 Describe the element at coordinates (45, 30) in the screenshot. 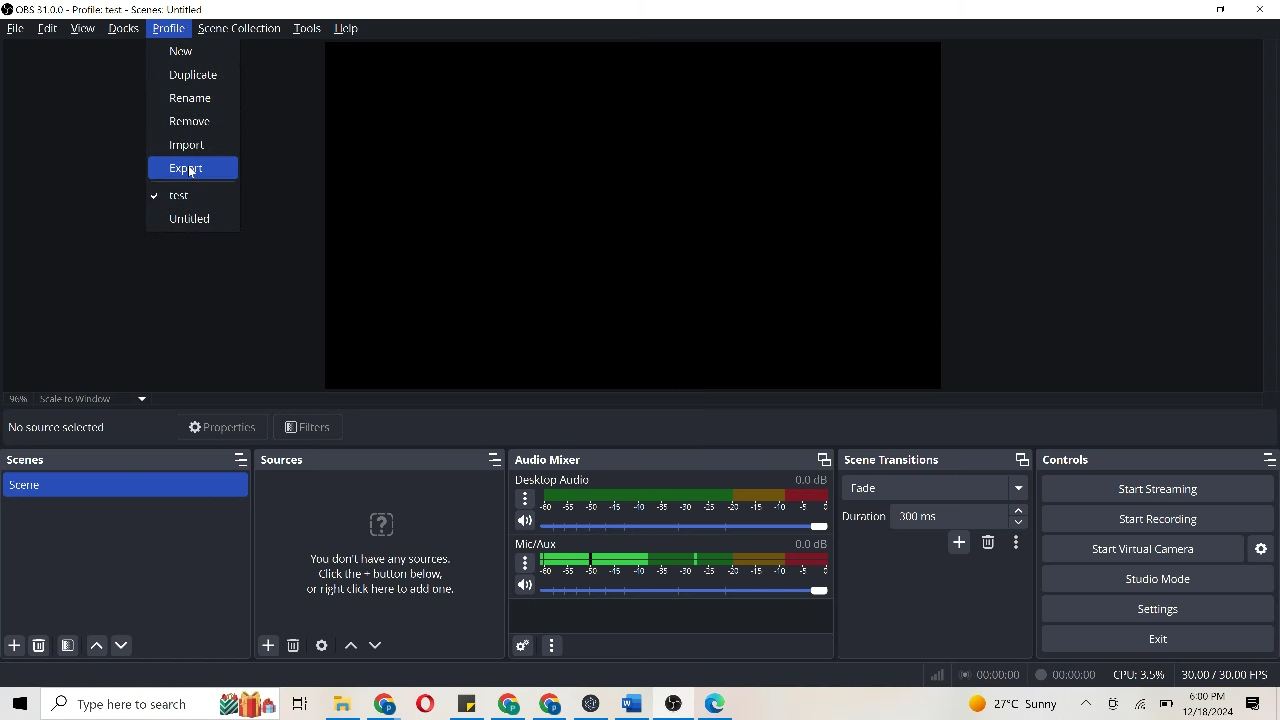

I see `edit` at that location.